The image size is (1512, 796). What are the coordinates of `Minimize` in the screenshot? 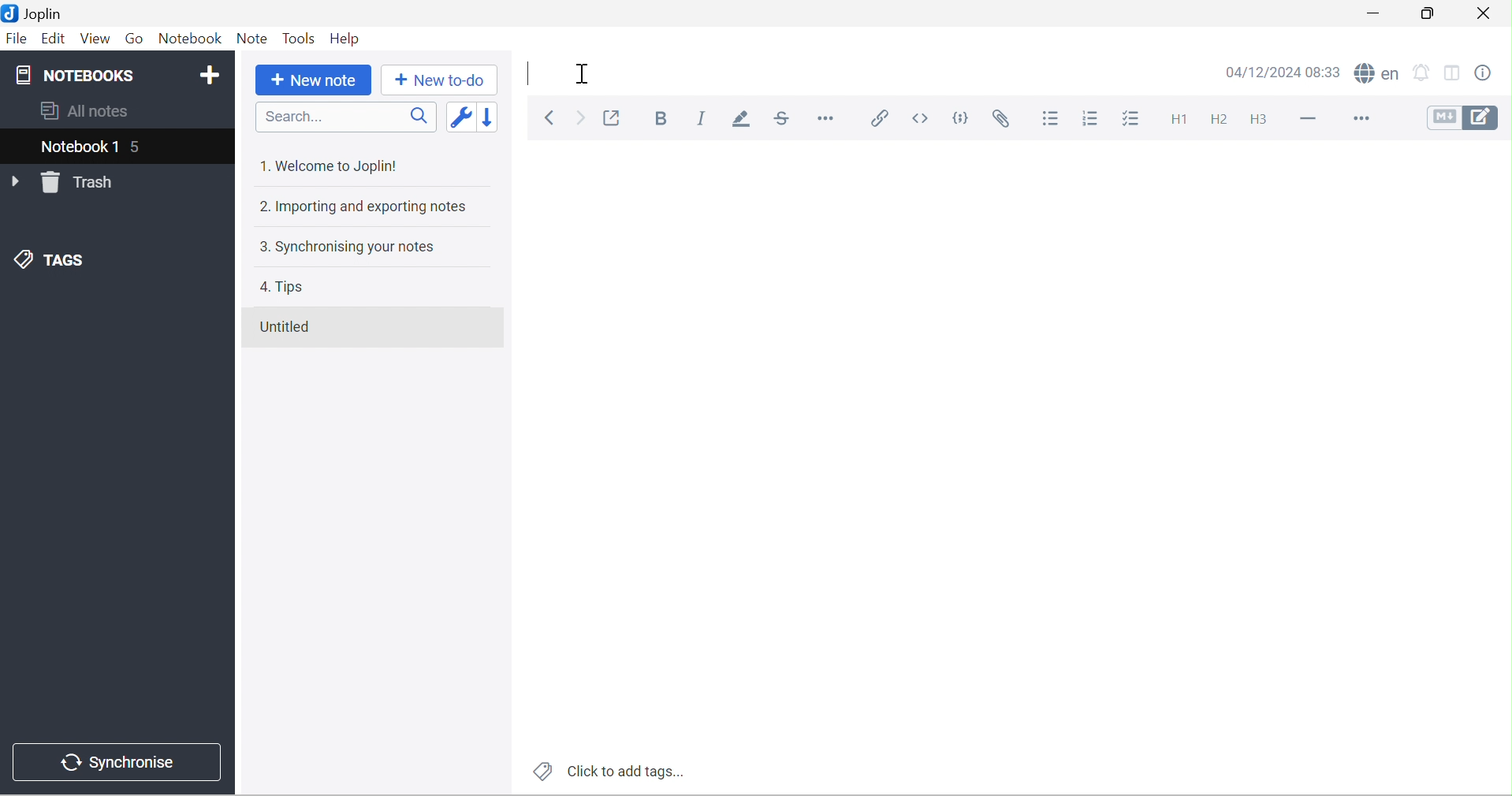 It's located at (1371, 15).